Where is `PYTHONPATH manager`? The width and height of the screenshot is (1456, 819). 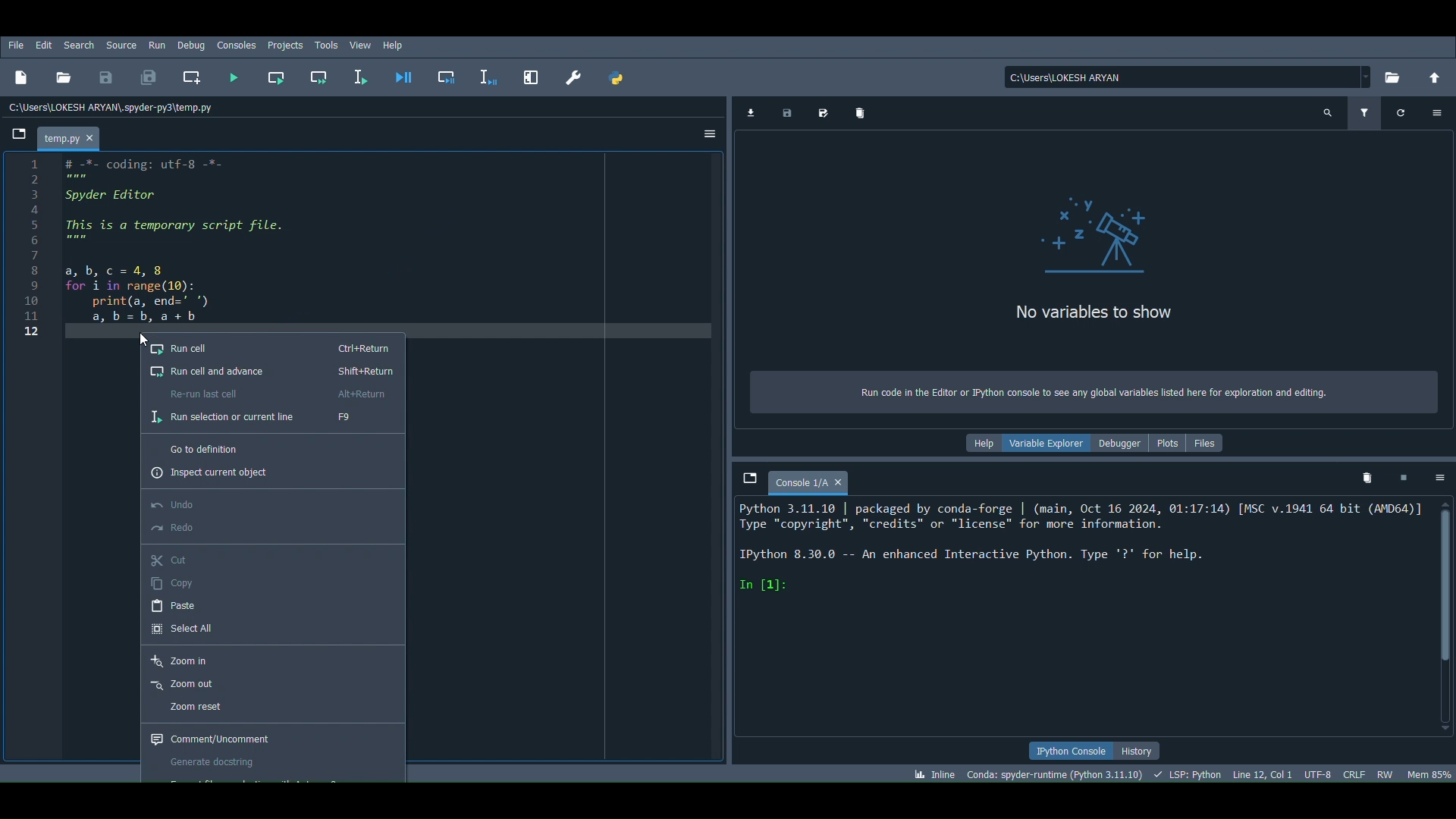 PYTHONPATH manager is located at coordinates (623, 79).